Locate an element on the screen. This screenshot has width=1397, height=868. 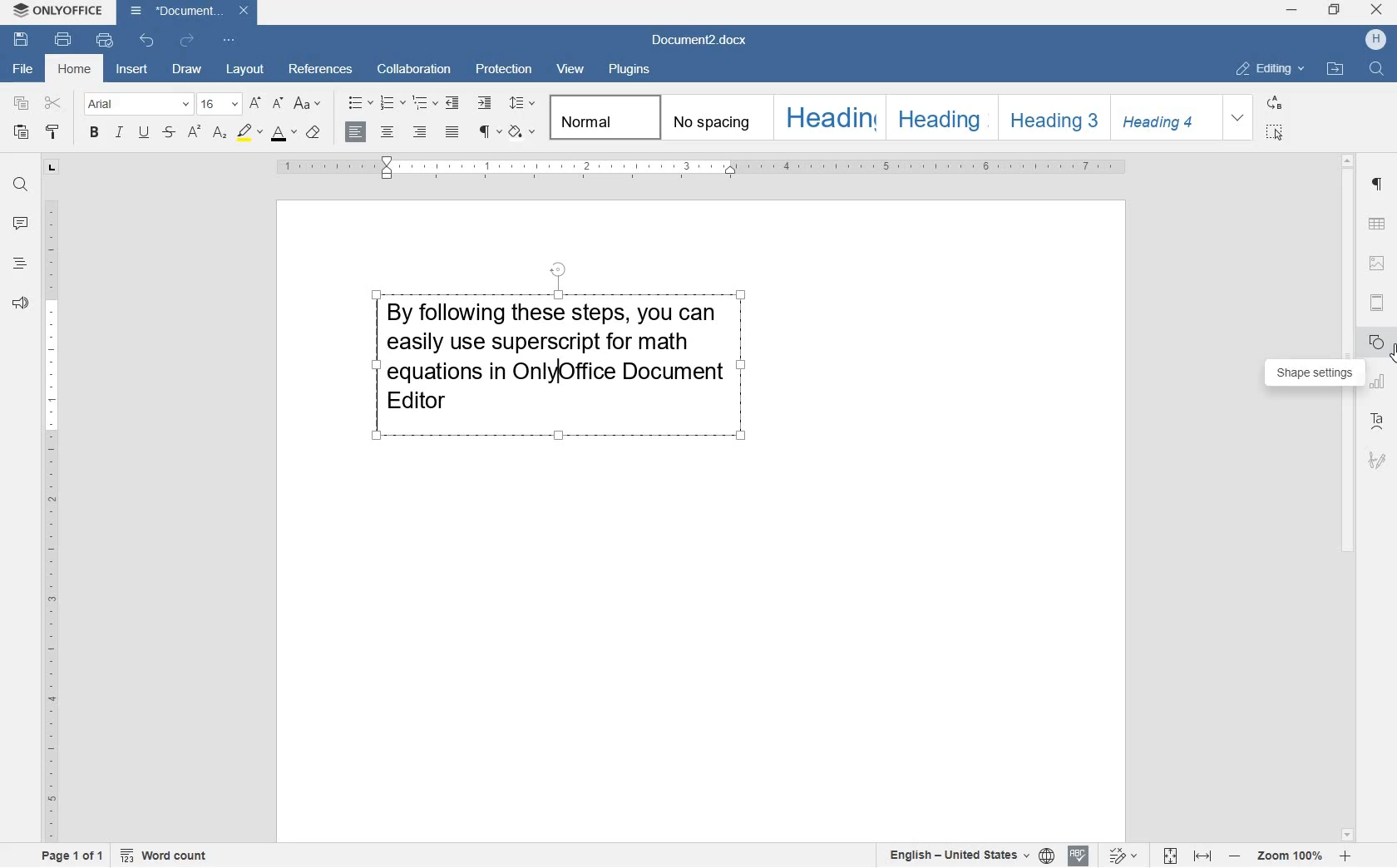
No spacing is located at coordinates (713, 117).